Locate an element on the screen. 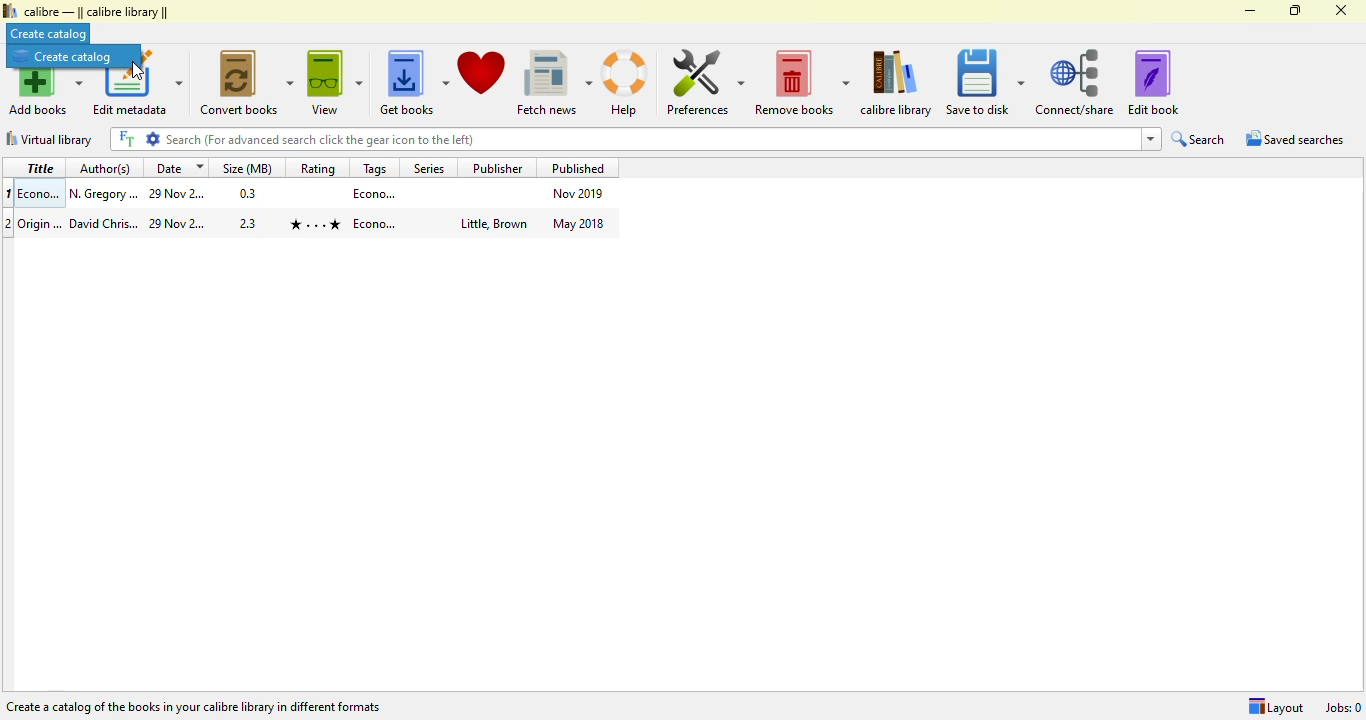 The image size is (1366, 720). calibre library is located at coordinates (897, 82).